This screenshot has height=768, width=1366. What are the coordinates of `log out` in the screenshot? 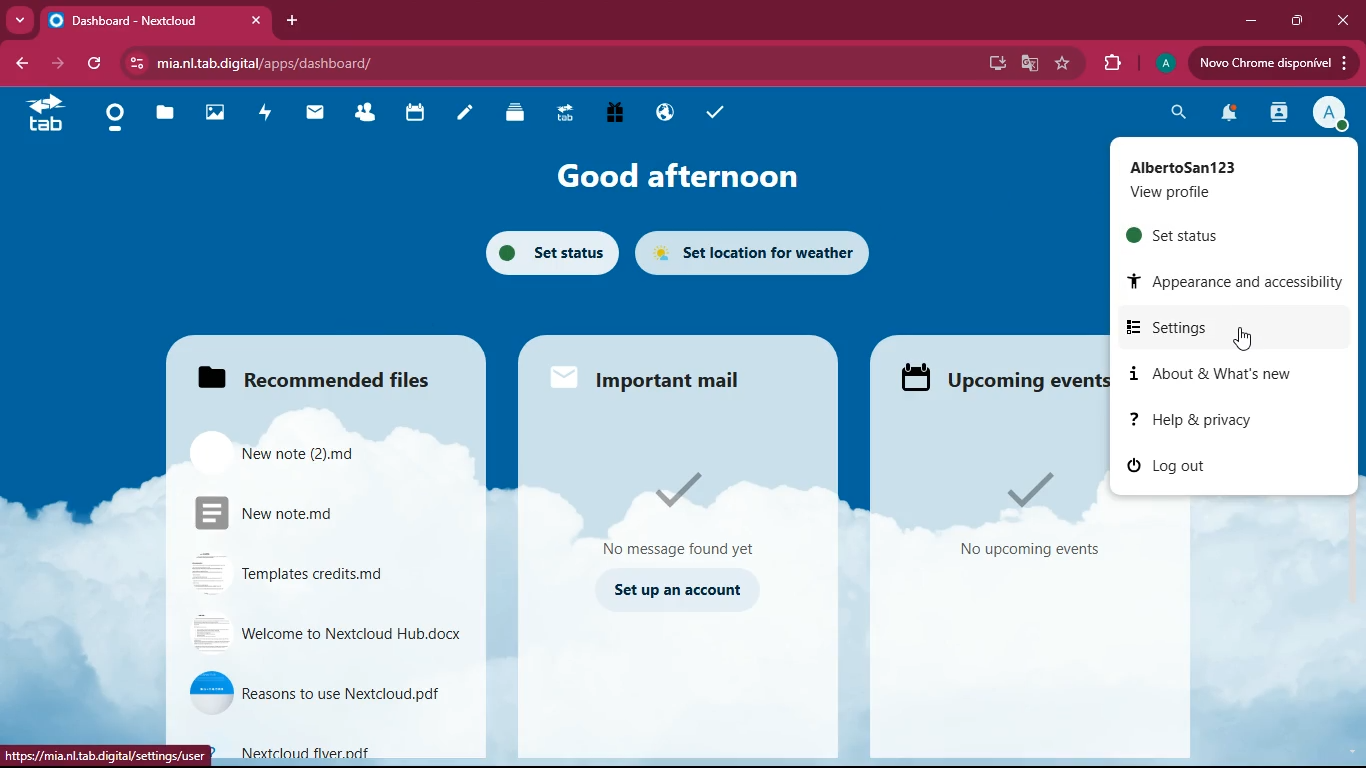 It's located at (1235, 466).